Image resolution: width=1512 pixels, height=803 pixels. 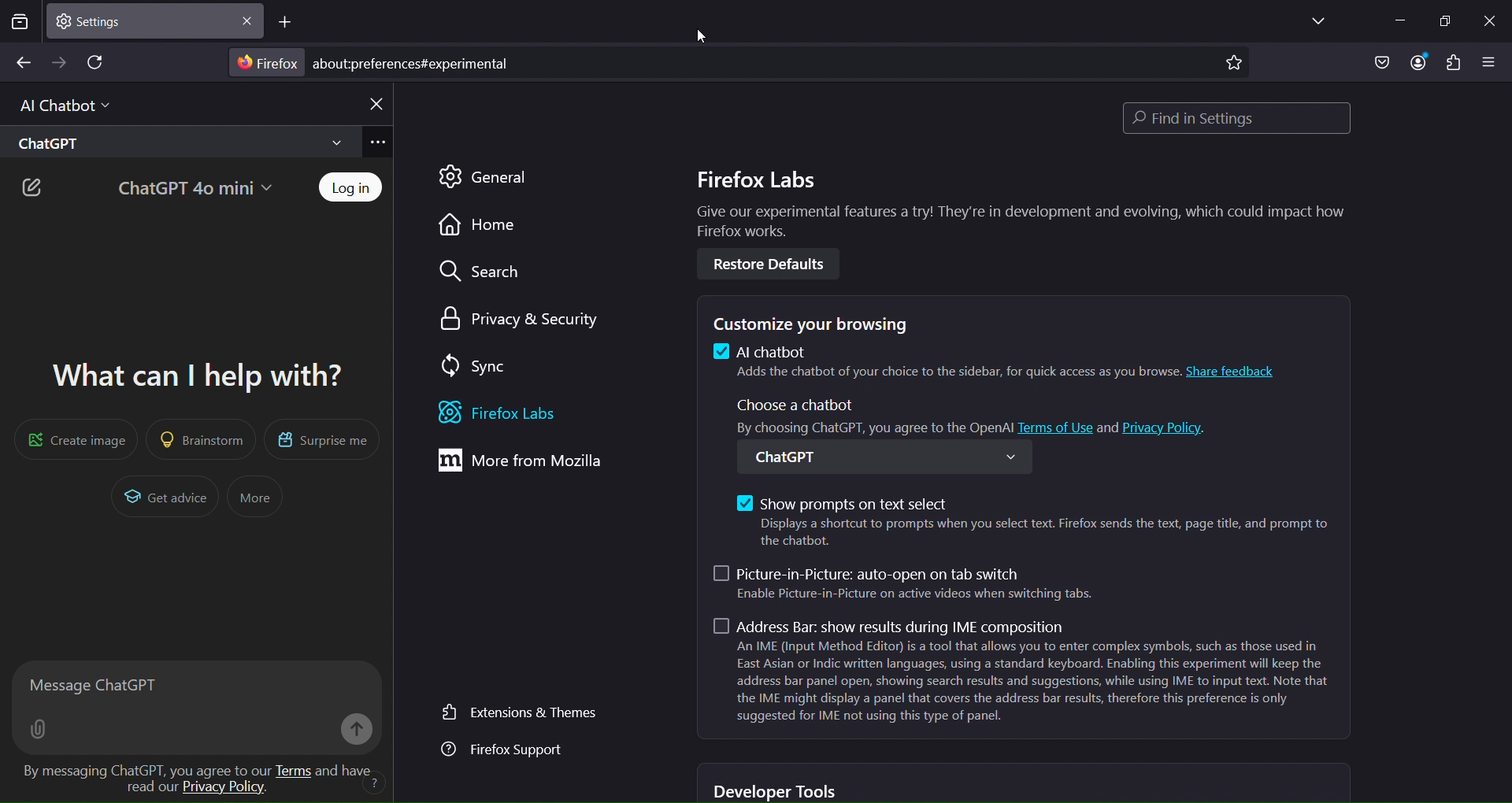 What do you see at coordinates (71, 439) in the screenshot?
I see `Create image` at bounding box center [71, 439].